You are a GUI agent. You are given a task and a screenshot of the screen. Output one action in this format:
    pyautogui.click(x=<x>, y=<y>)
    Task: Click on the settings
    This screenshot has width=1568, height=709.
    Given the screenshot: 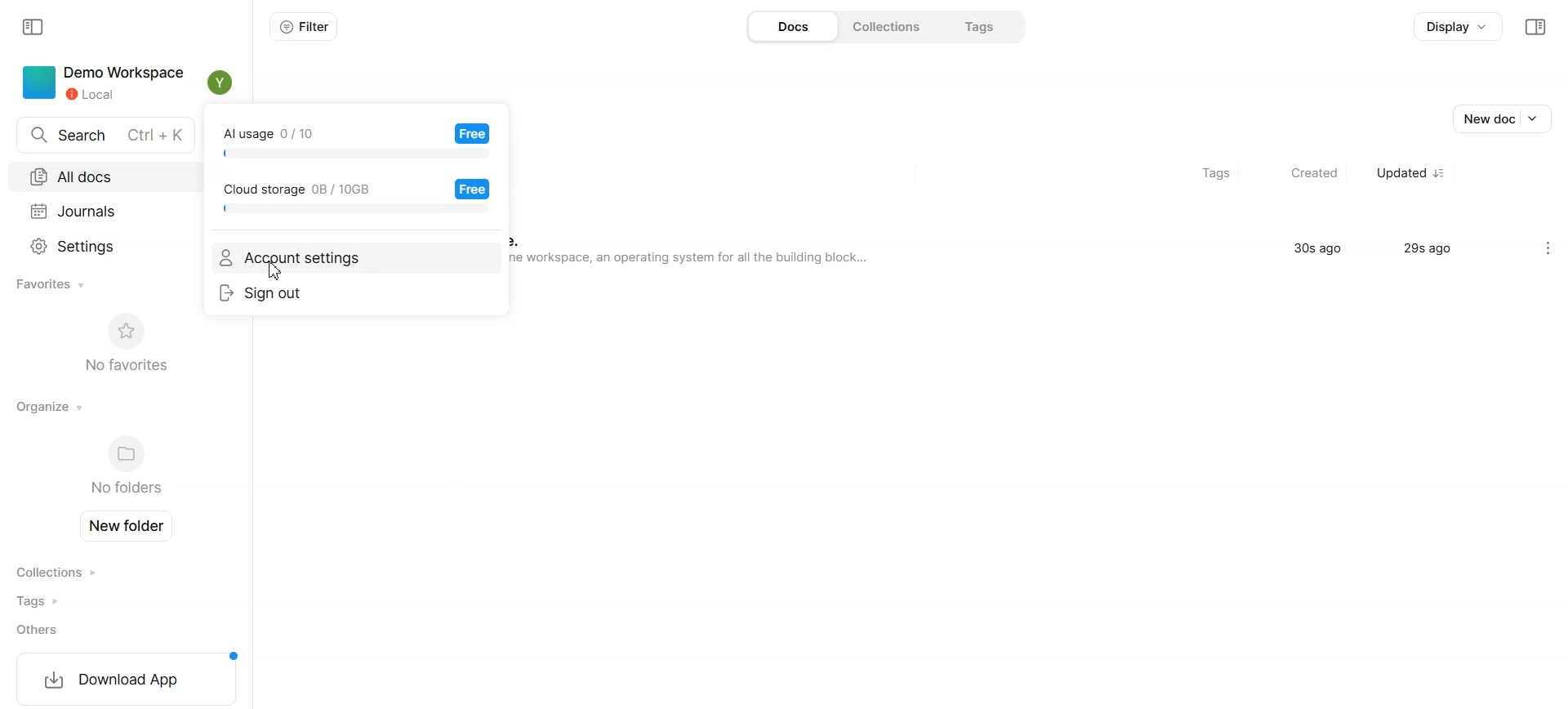 What is the action you would take?
    pyautogui.click(x=1542, y=247)
    